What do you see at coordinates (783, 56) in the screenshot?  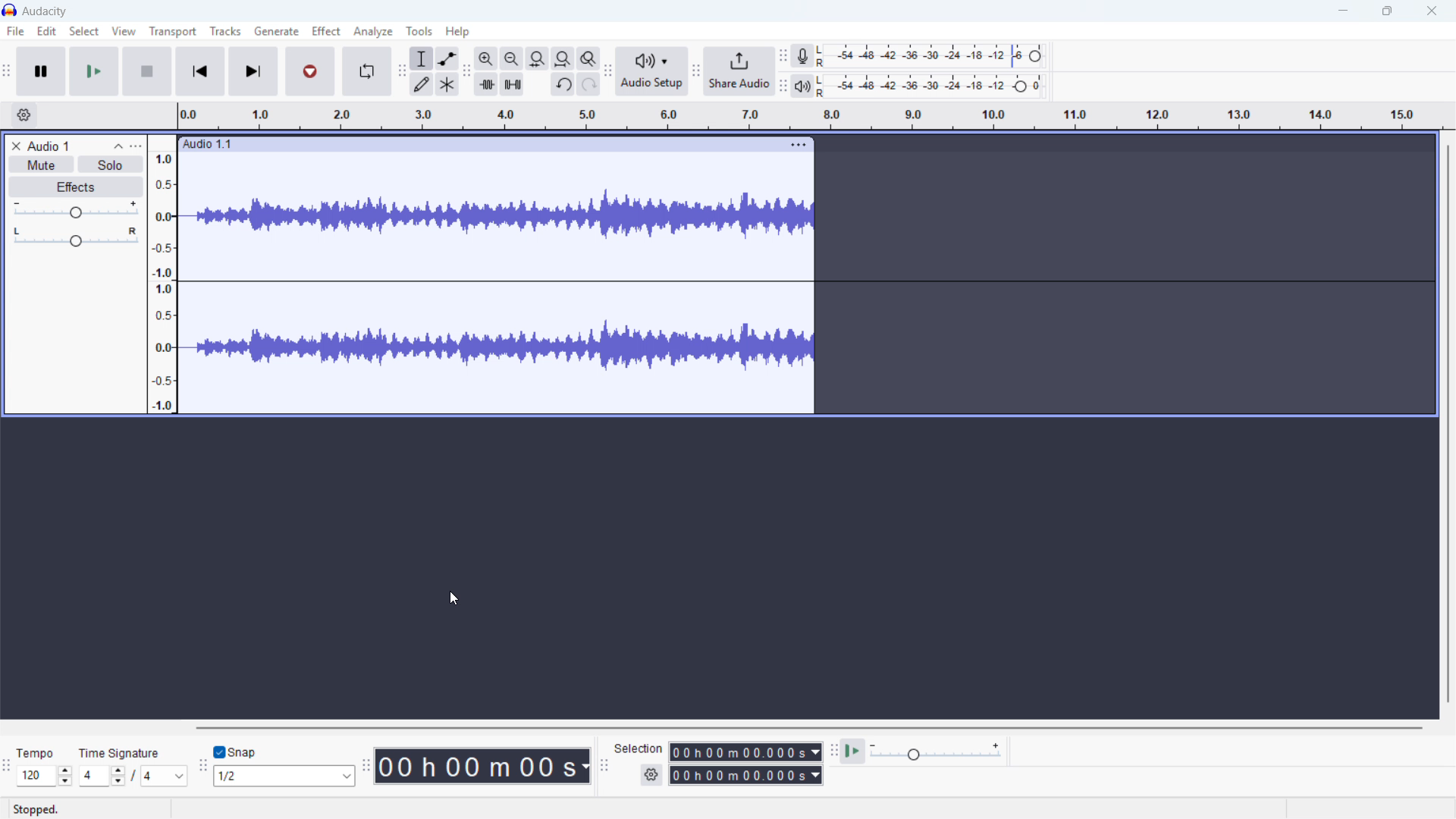 I see `Recording metre toolbar ` at bounding box center [783, 56].